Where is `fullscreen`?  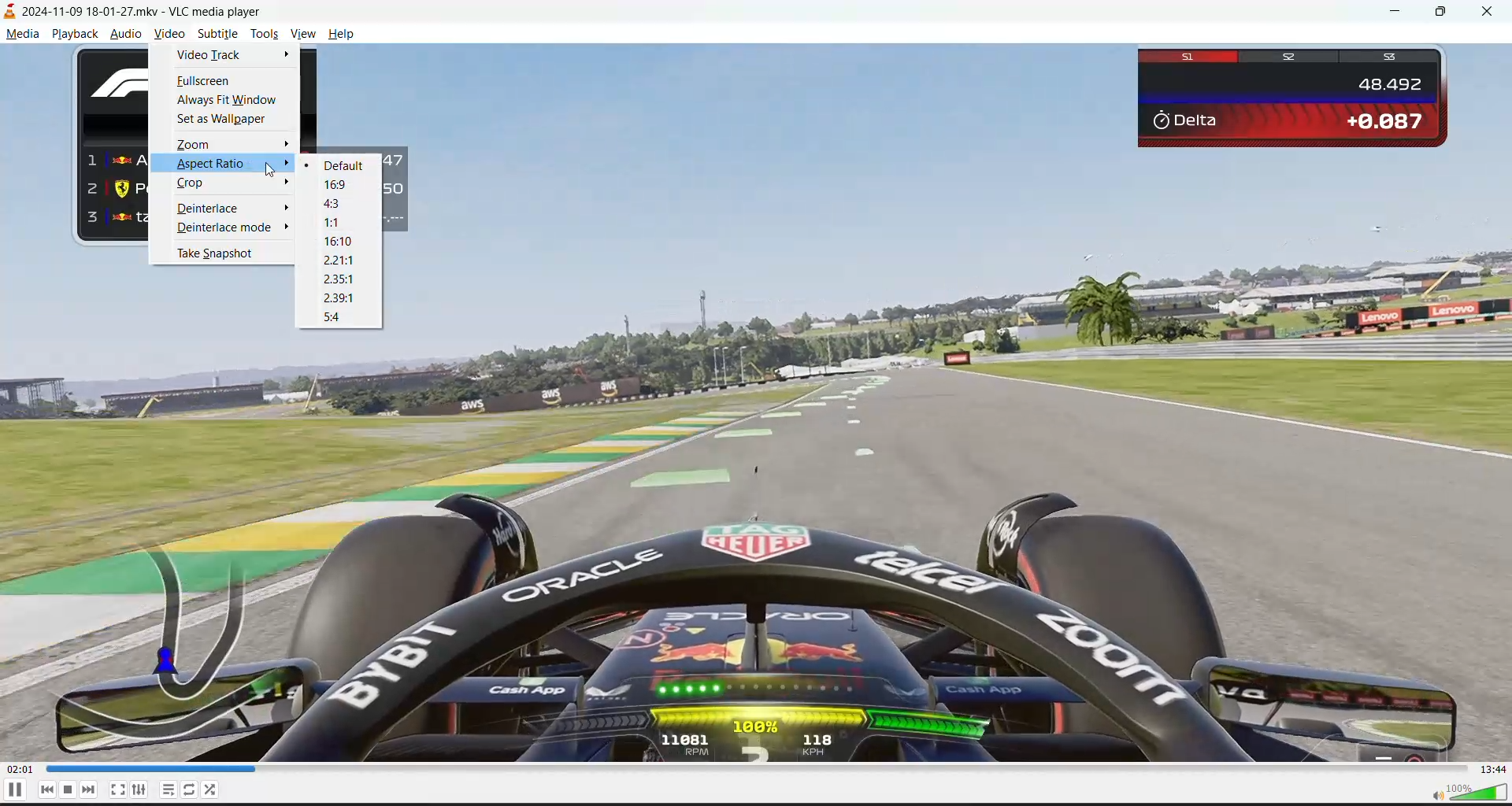
fullscreen is located at coordinates (205, 83).